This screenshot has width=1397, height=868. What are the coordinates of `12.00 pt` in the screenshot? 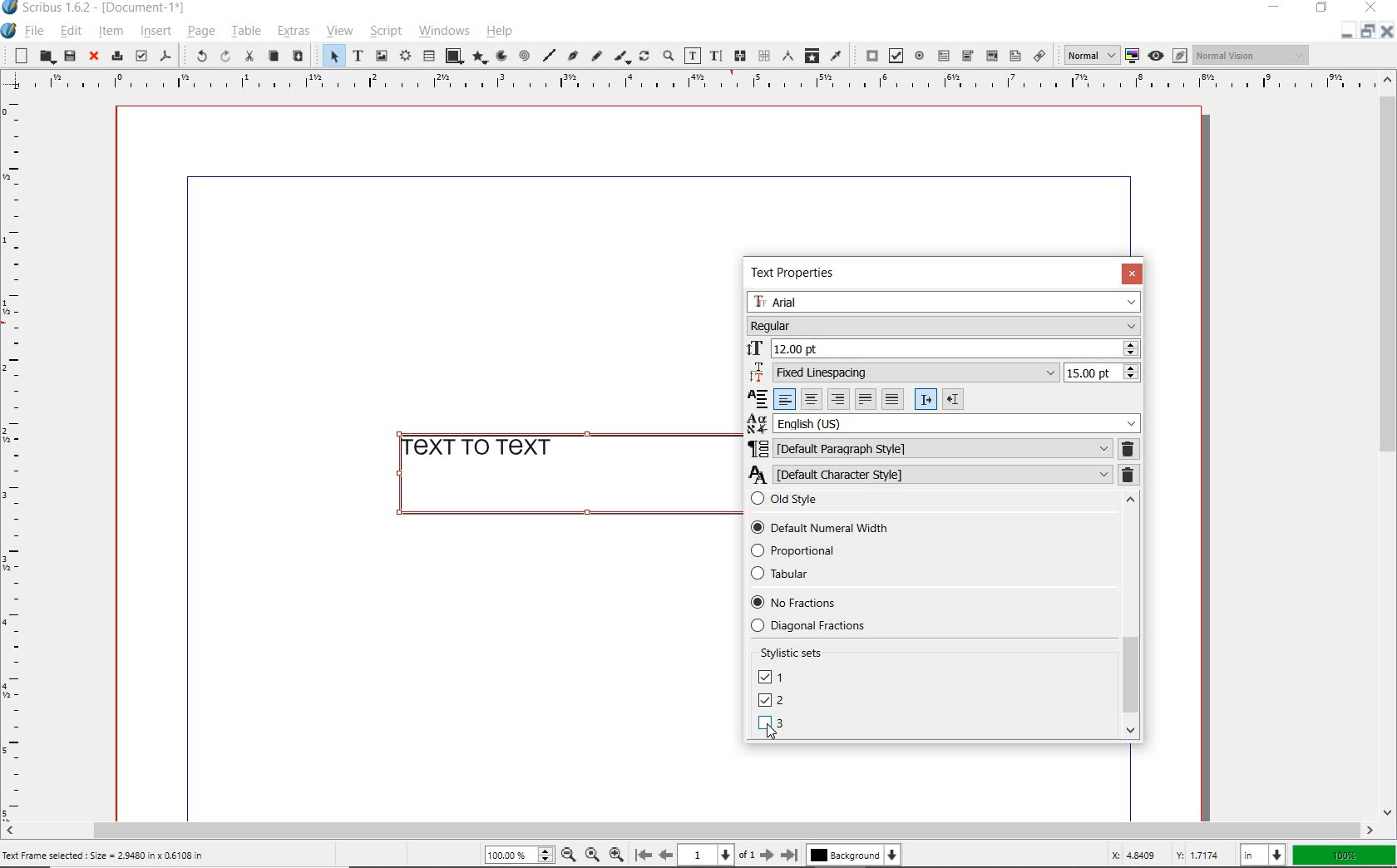 It's located at (942, 349).